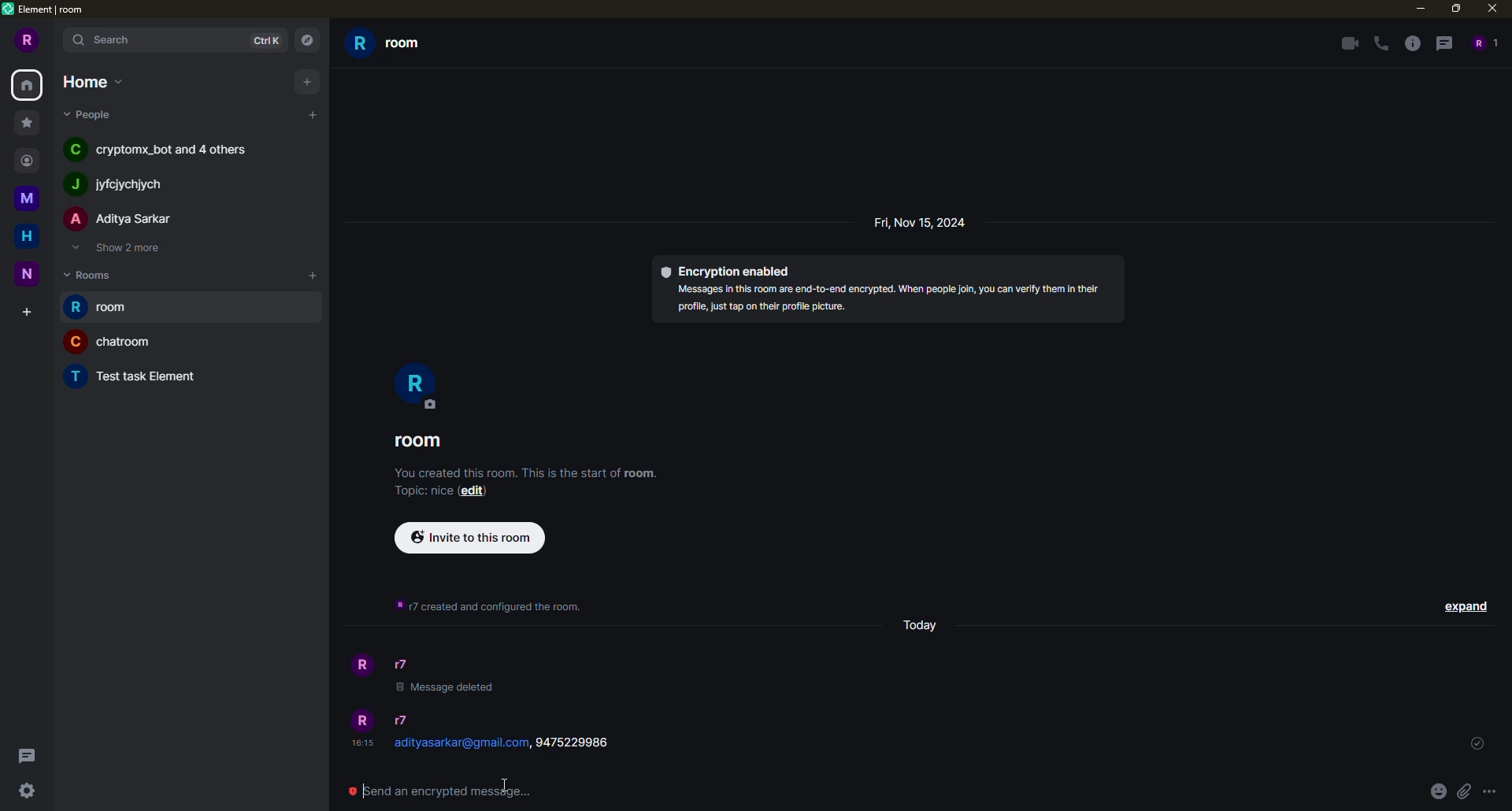 The image size is (1512, 811). I want to click on room, so click(109, 341).